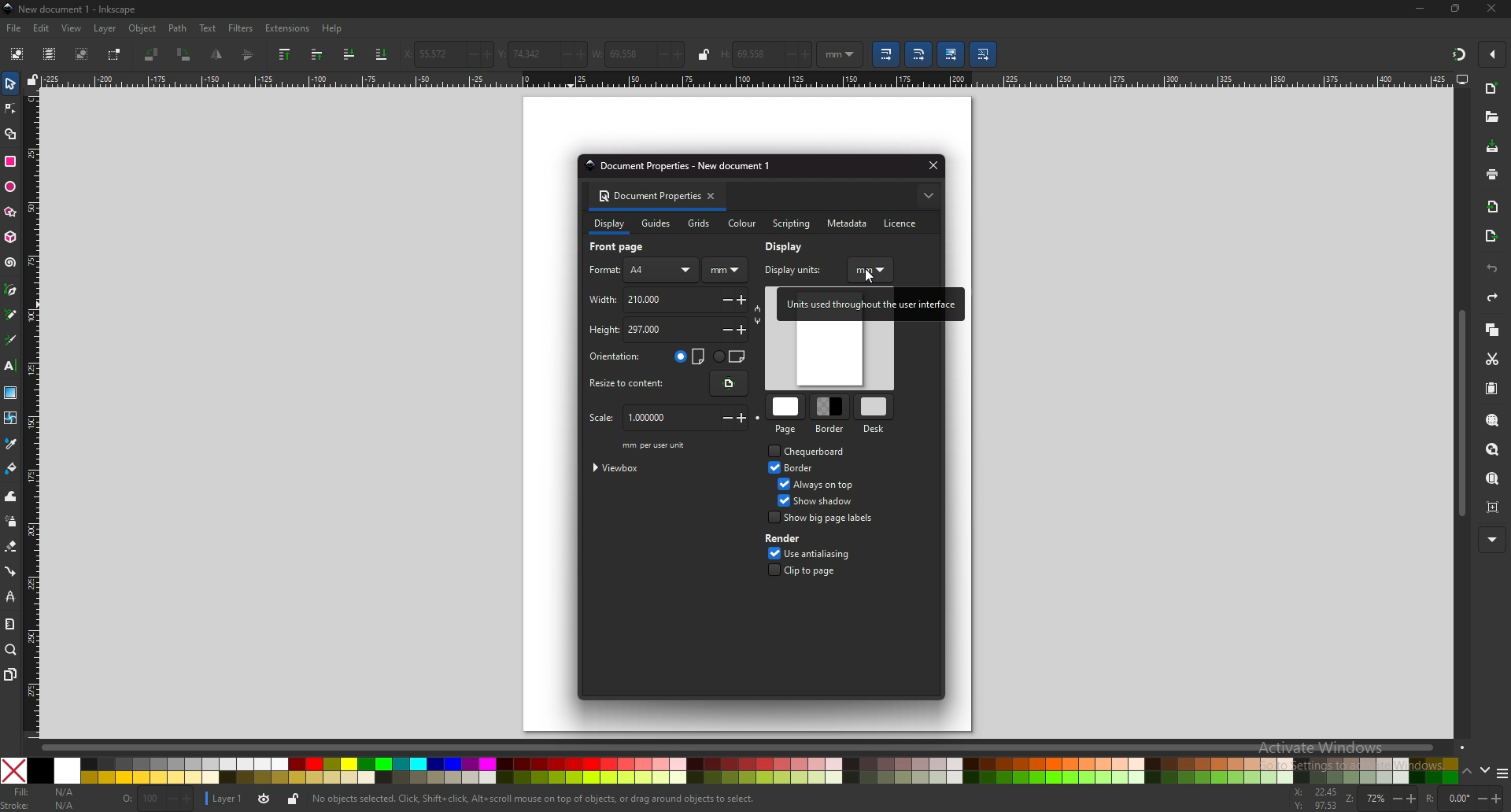 Image resolution: width=1511 pixels, height=812 pixels. I want to click on flip vertical, so click(247, 56).